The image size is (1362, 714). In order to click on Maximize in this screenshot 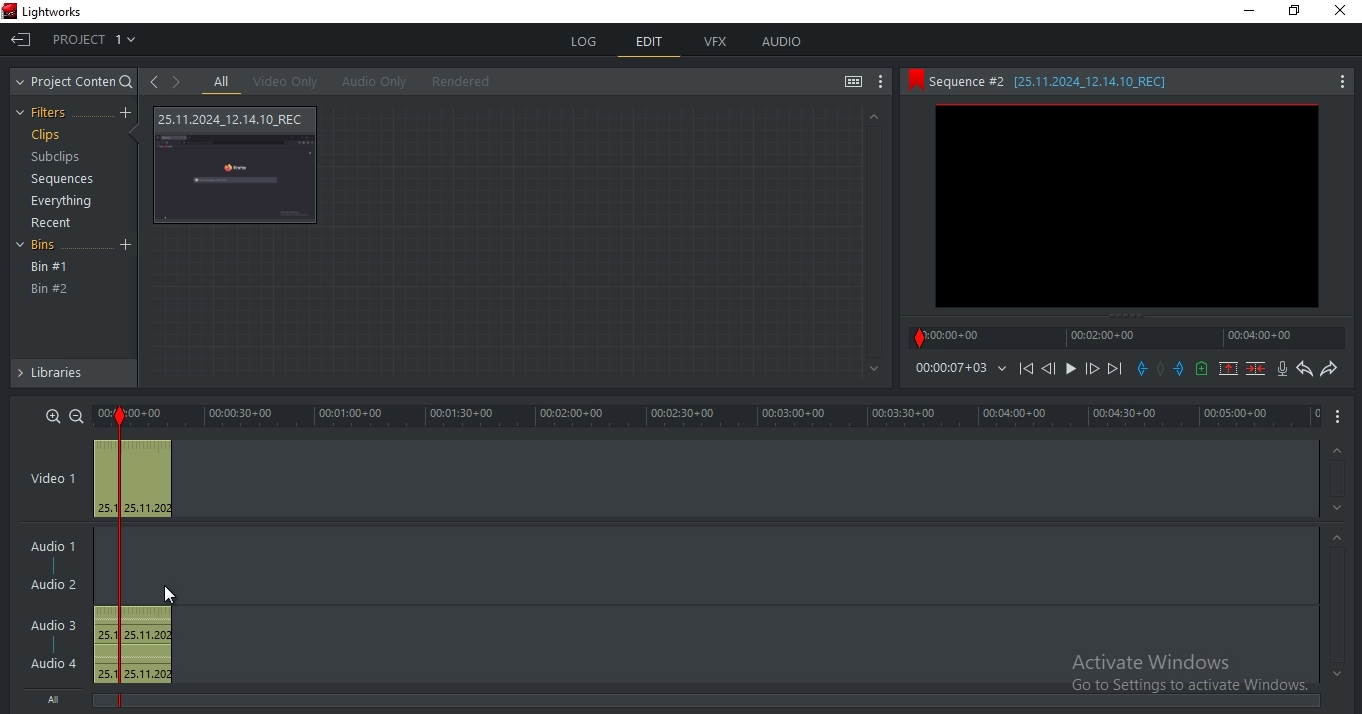, I will do `click(1299, 14)`.